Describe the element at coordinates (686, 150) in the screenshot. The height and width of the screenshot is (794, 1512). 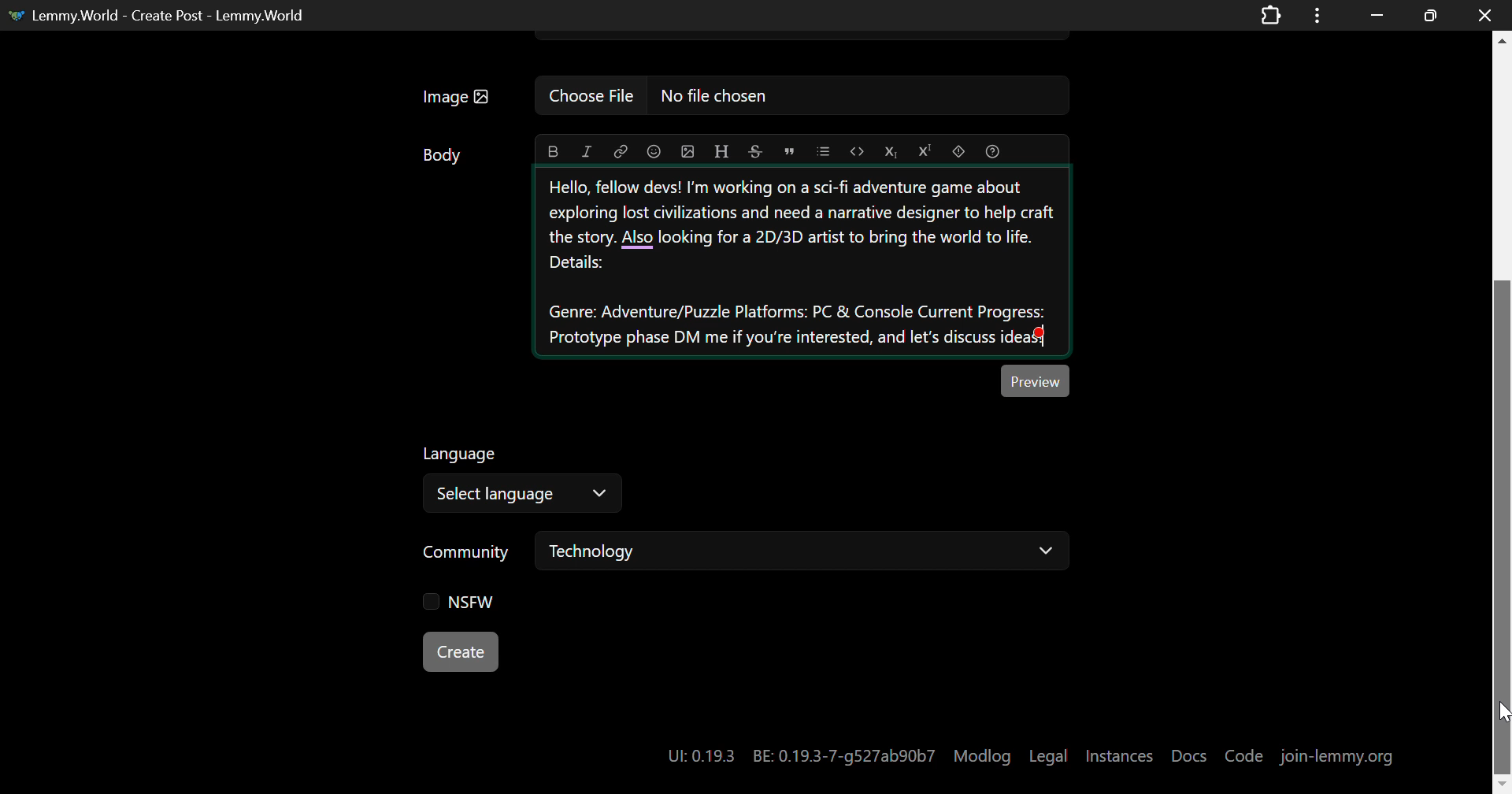
I see `upload image` at that location.